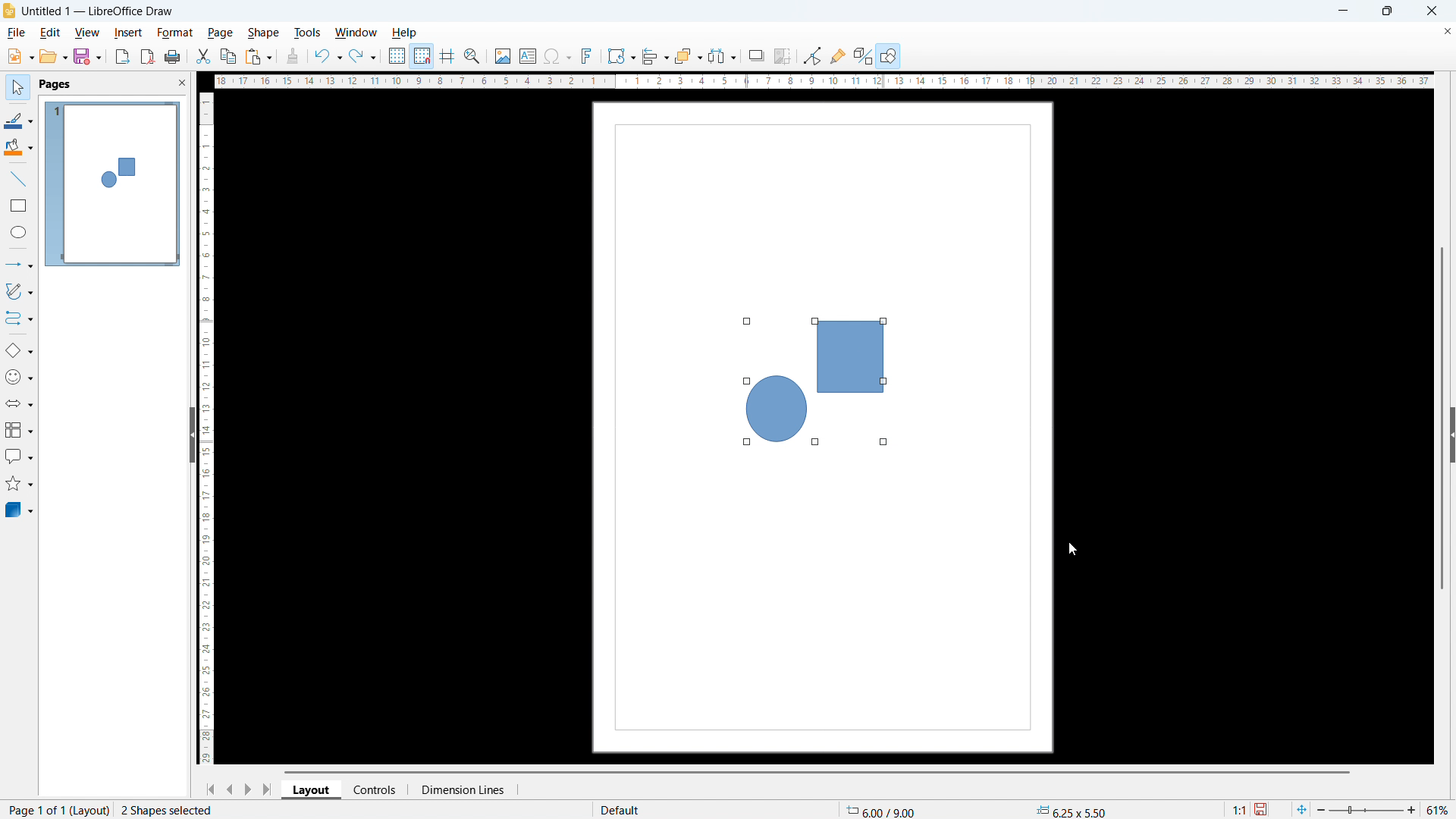 This screenshot has height=819, width=1456. What do you see at coordinates (124, 58) in the screenshot?
I see `export` at bounding box center [124, 58].